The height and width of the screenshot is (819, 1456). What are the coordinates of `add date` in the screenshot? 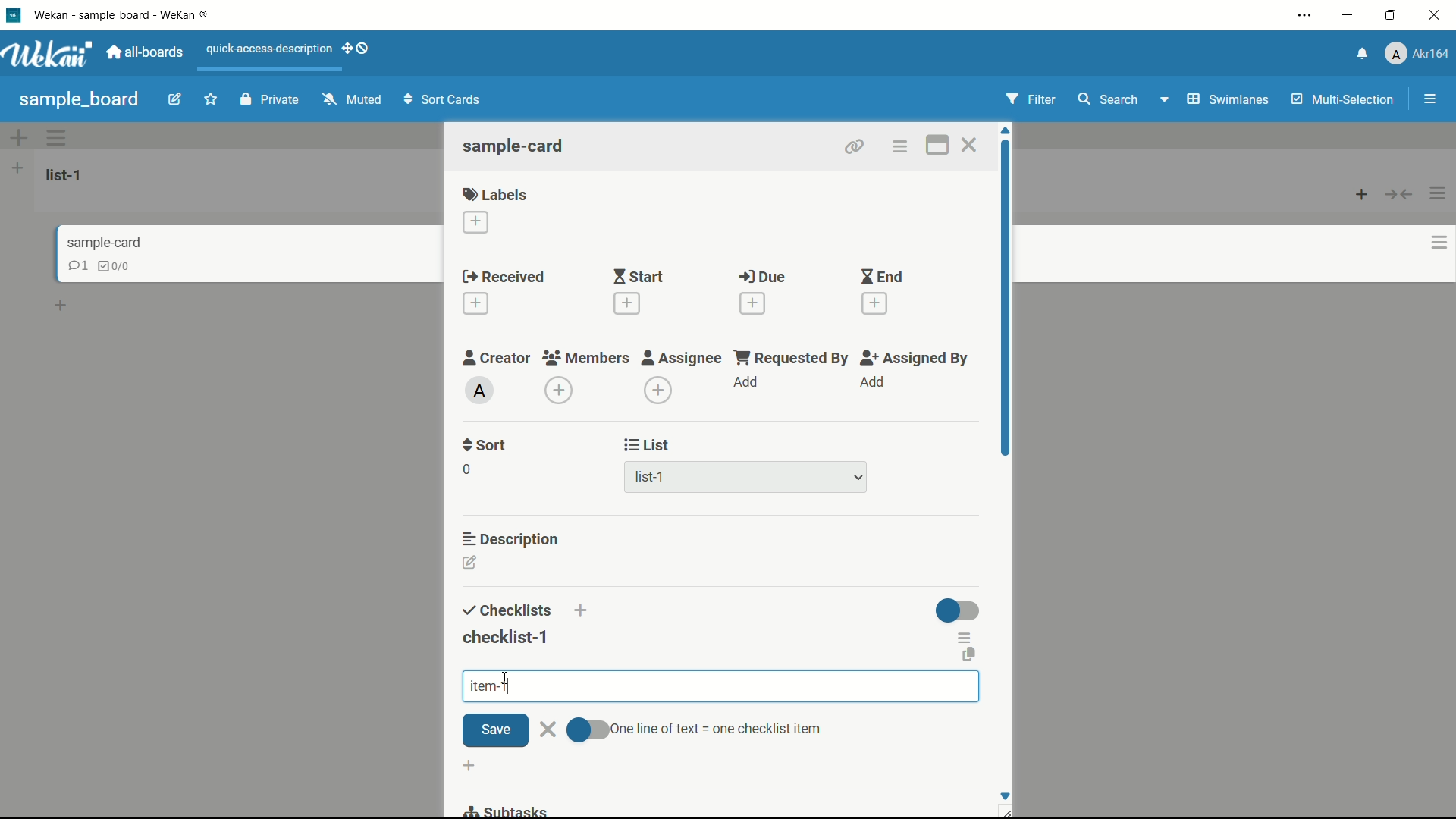 It's located at (752, 304).